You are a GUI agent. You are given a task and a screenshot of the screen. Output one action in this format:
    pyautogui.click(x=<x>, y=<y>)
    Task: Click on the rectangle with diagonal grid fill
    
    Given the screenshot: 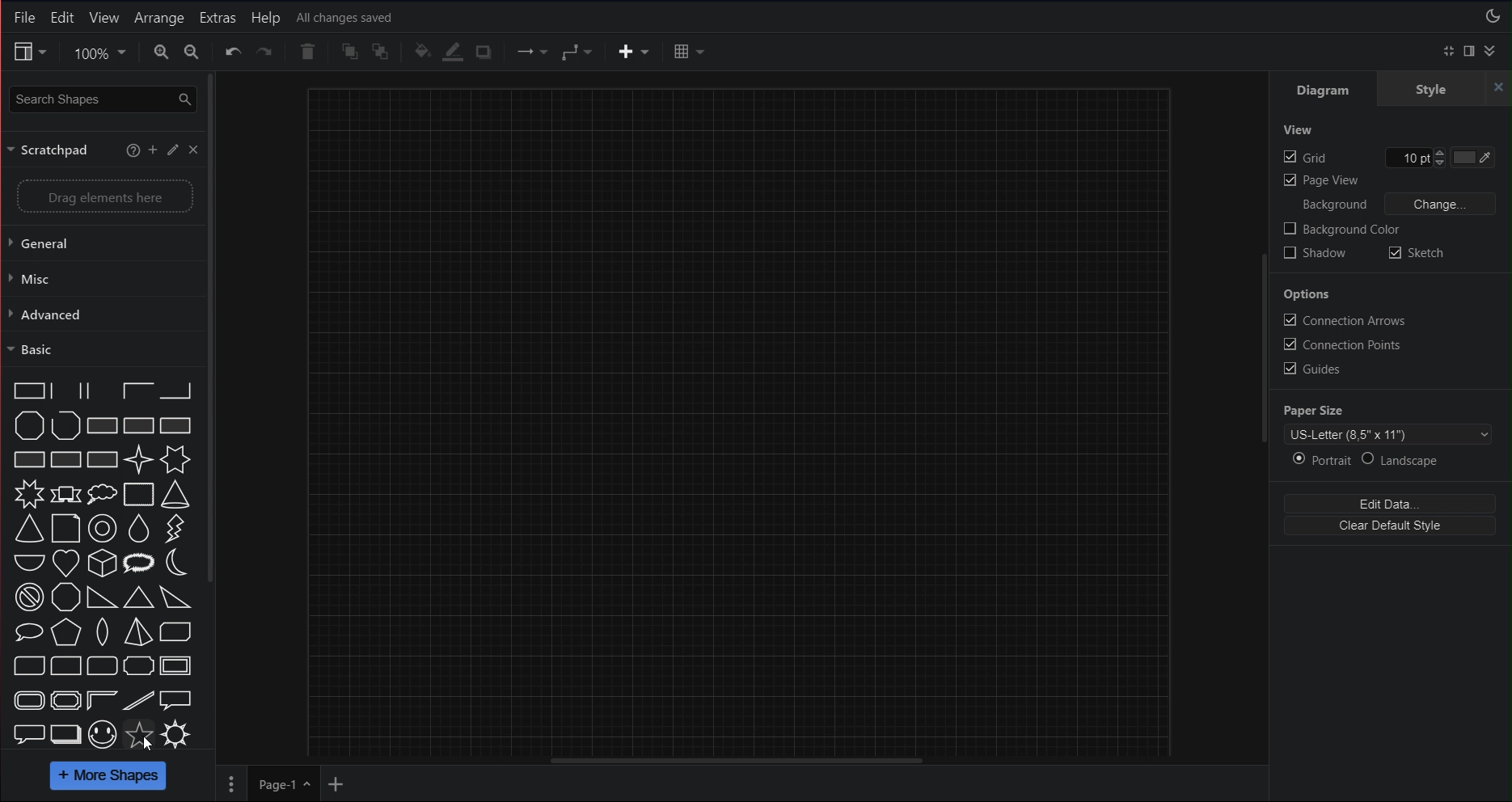 What is the action you would take?
    pyautogui.click(x=101, y=460)
    